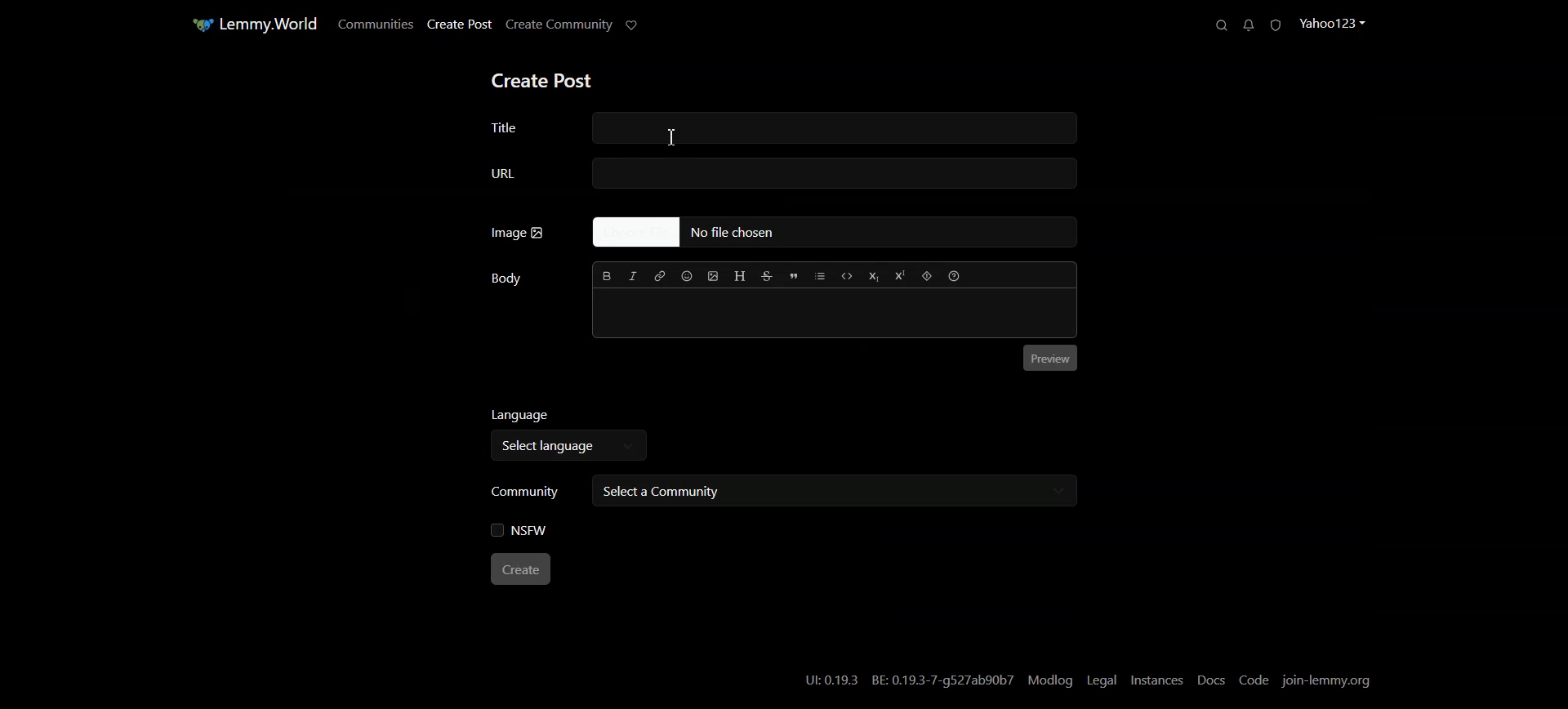 This screenshot has height=709, width=1568. I want to click on Formatting help, so click(954, 275).